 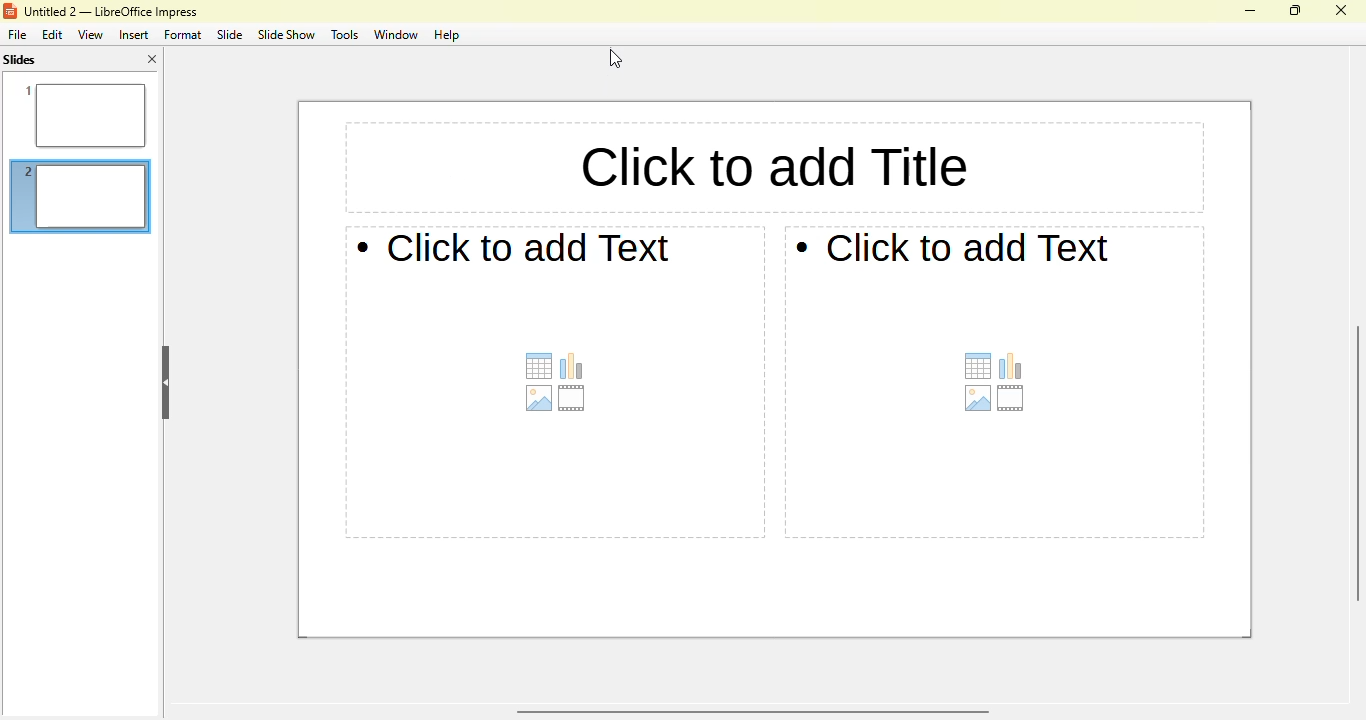 What do you see at coordinates (1250, 11) in the screenshot?
I see `minimize` at bounding box center [1250, 11].